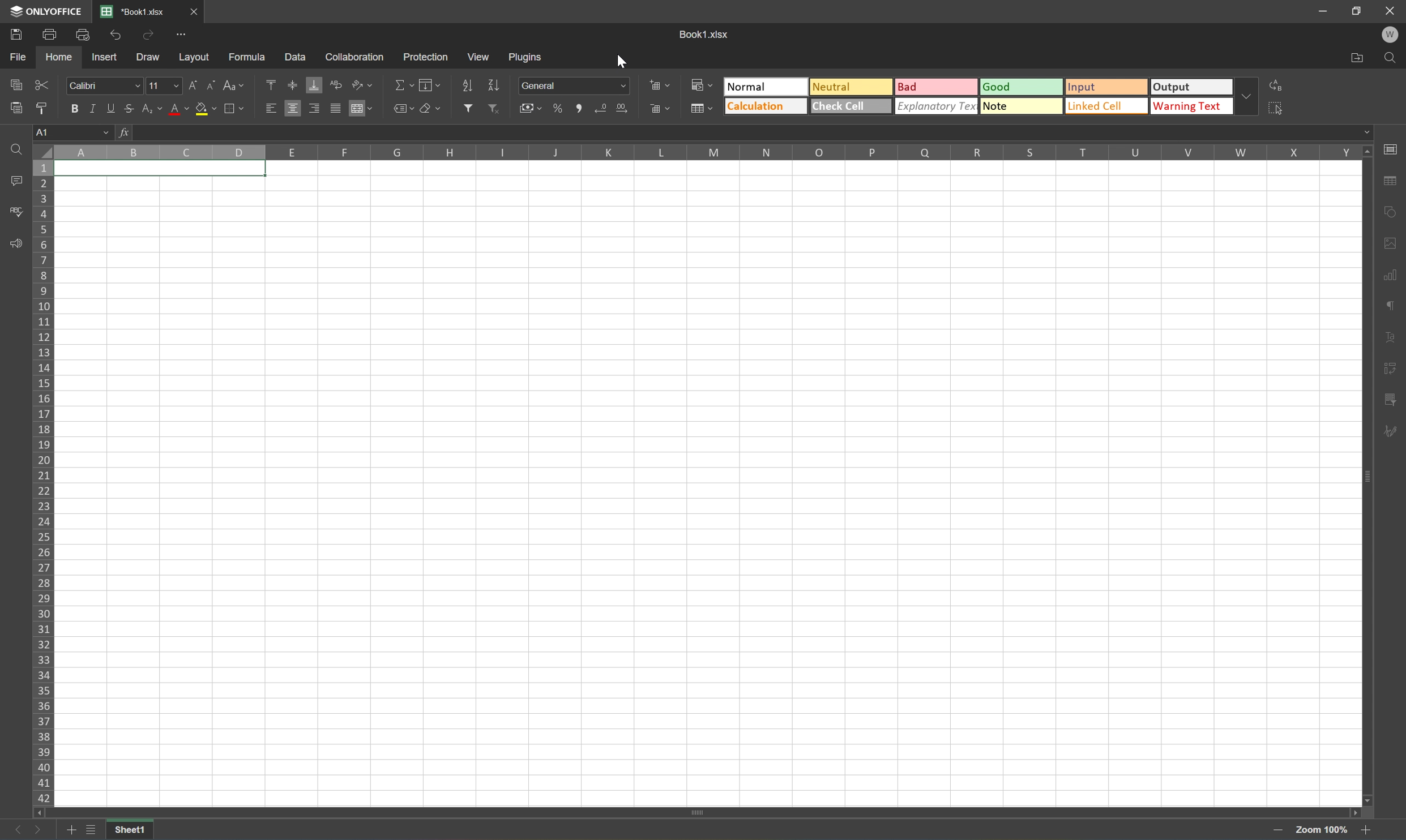 The width and height of the screenshot is (1406, 840). I want to click on Slicer settings, so click(1390, 370).